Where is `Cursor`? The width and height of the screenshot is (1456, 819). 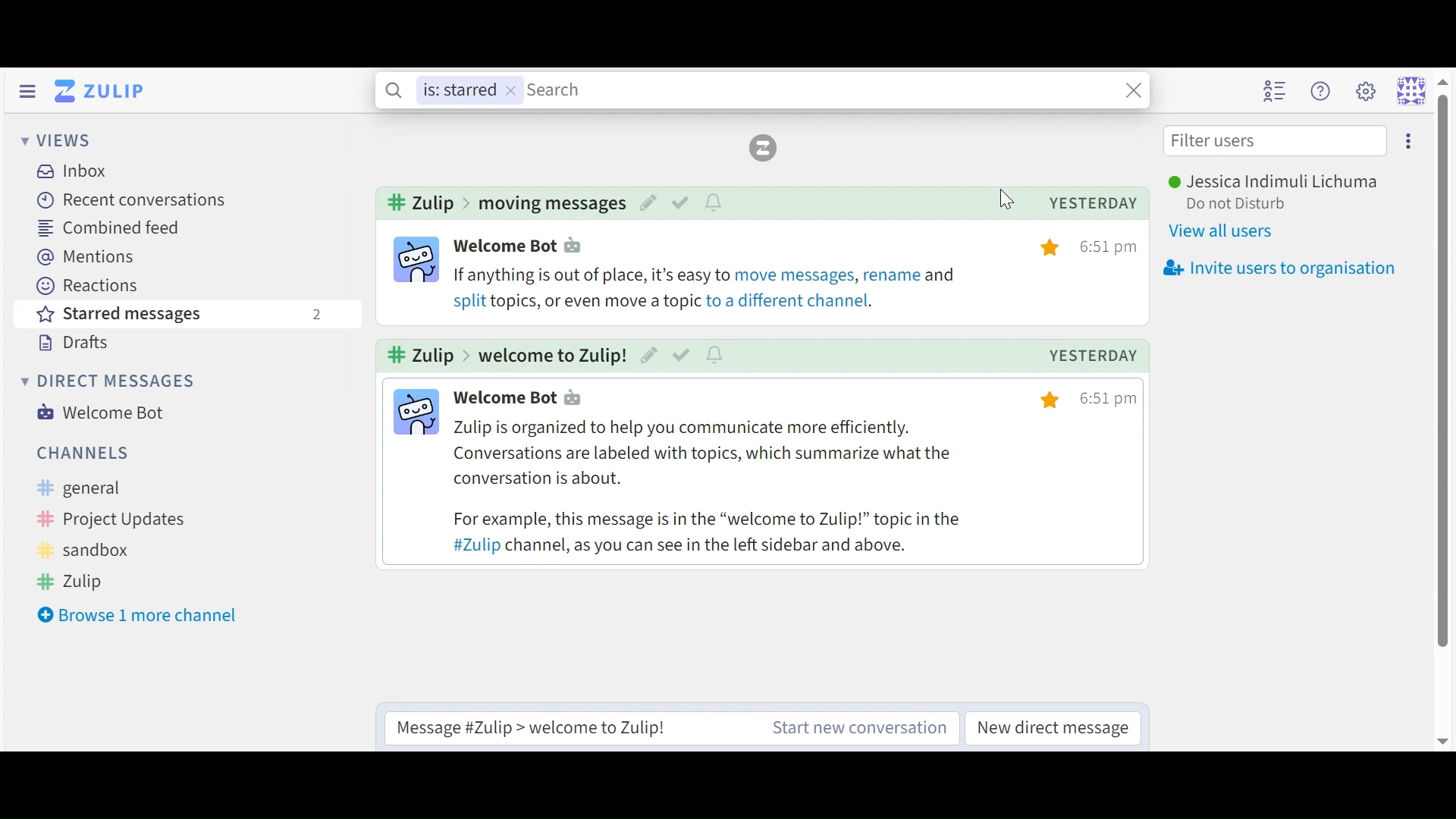
Cursor is located at coordinates (1441, 376).